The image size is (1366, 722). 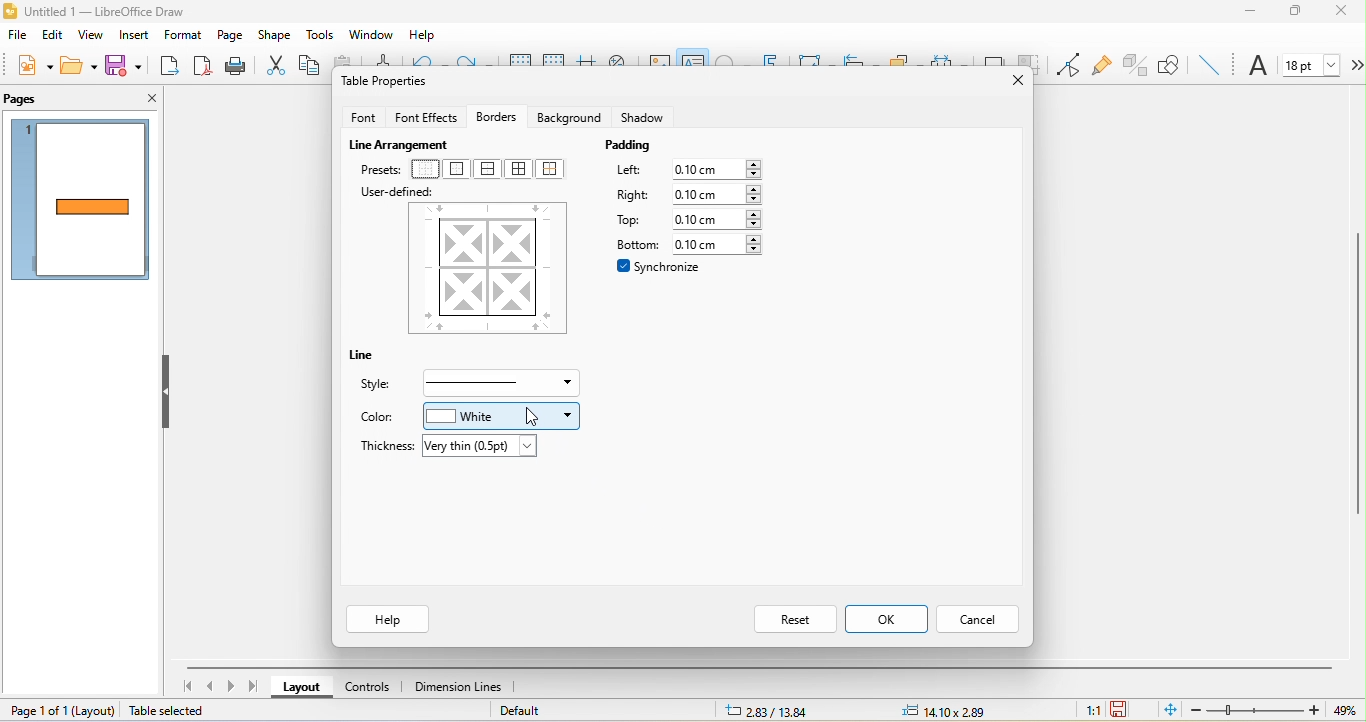 What do you see at coordinates (481, 448) in the screenshot?
I see `very thin` at bounding box center [481, 448].